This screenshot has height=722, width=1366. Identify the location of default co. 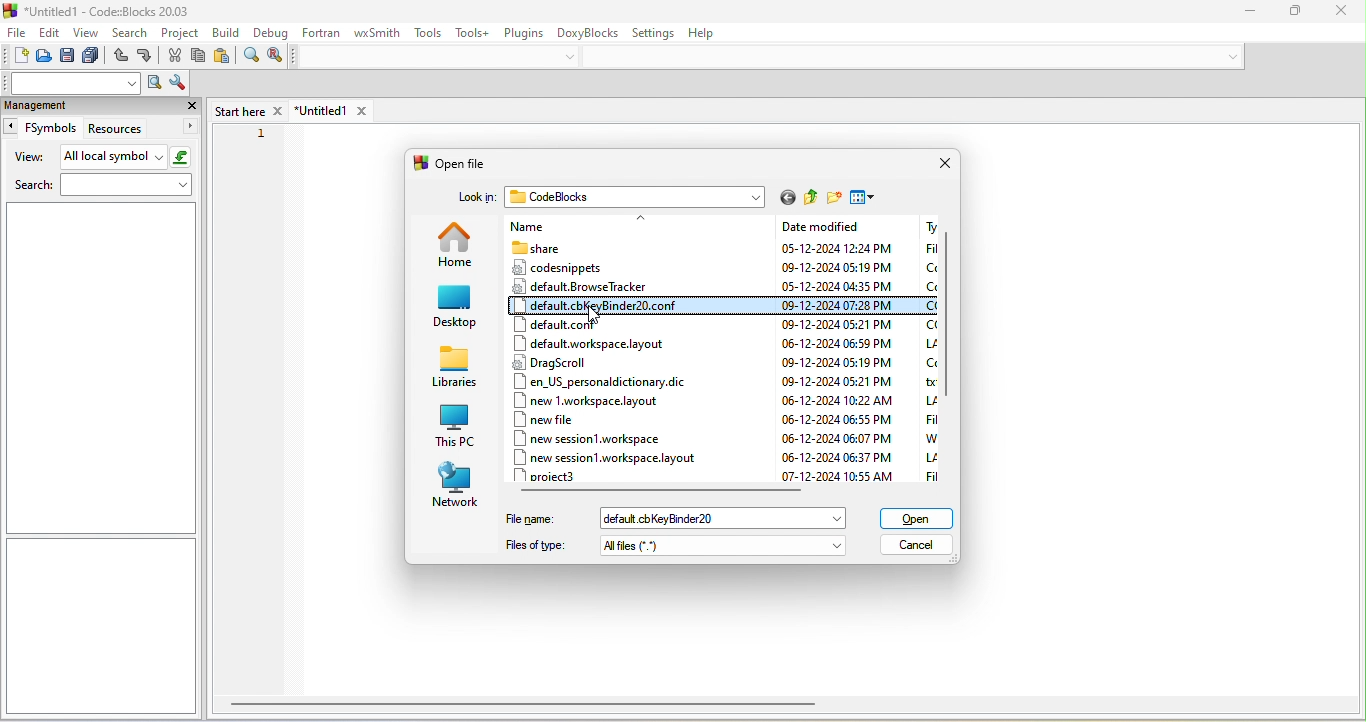
(593, 325).